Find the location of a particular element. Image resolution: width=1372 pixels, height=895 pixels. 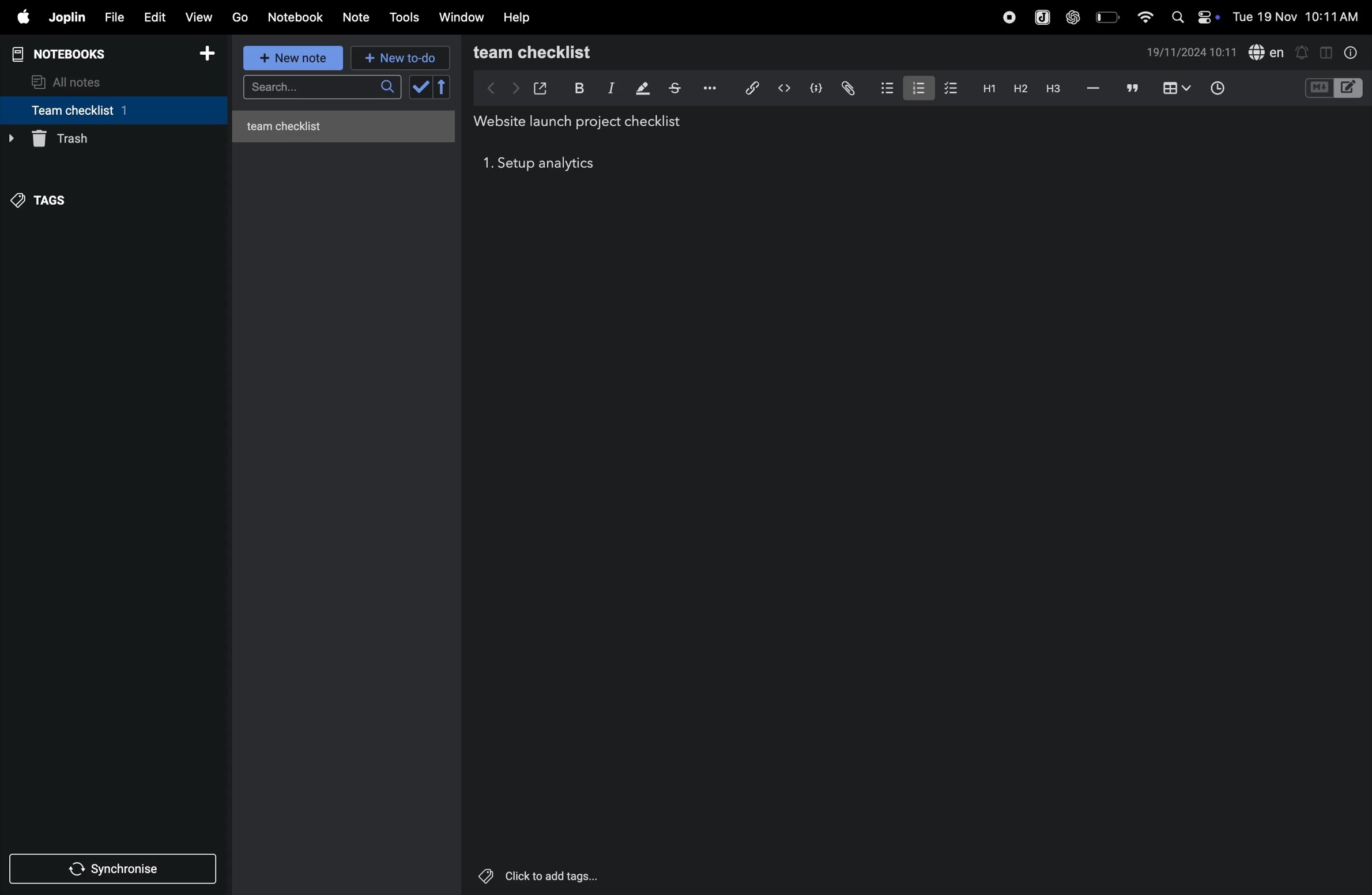

hyperlink is located at coordinates (747, 87).